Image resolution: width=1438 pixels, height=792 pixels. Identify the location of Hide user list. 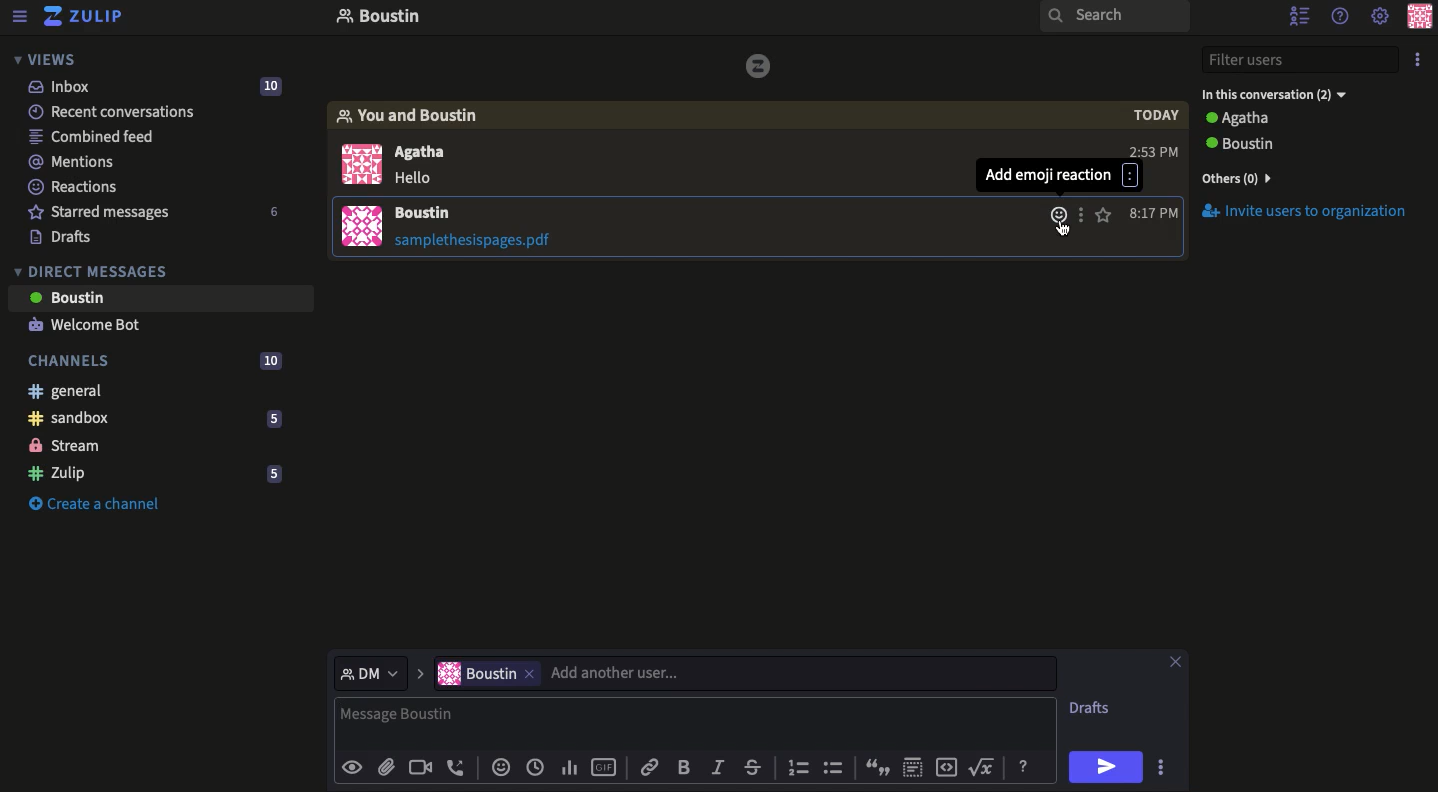
(1302, 16).